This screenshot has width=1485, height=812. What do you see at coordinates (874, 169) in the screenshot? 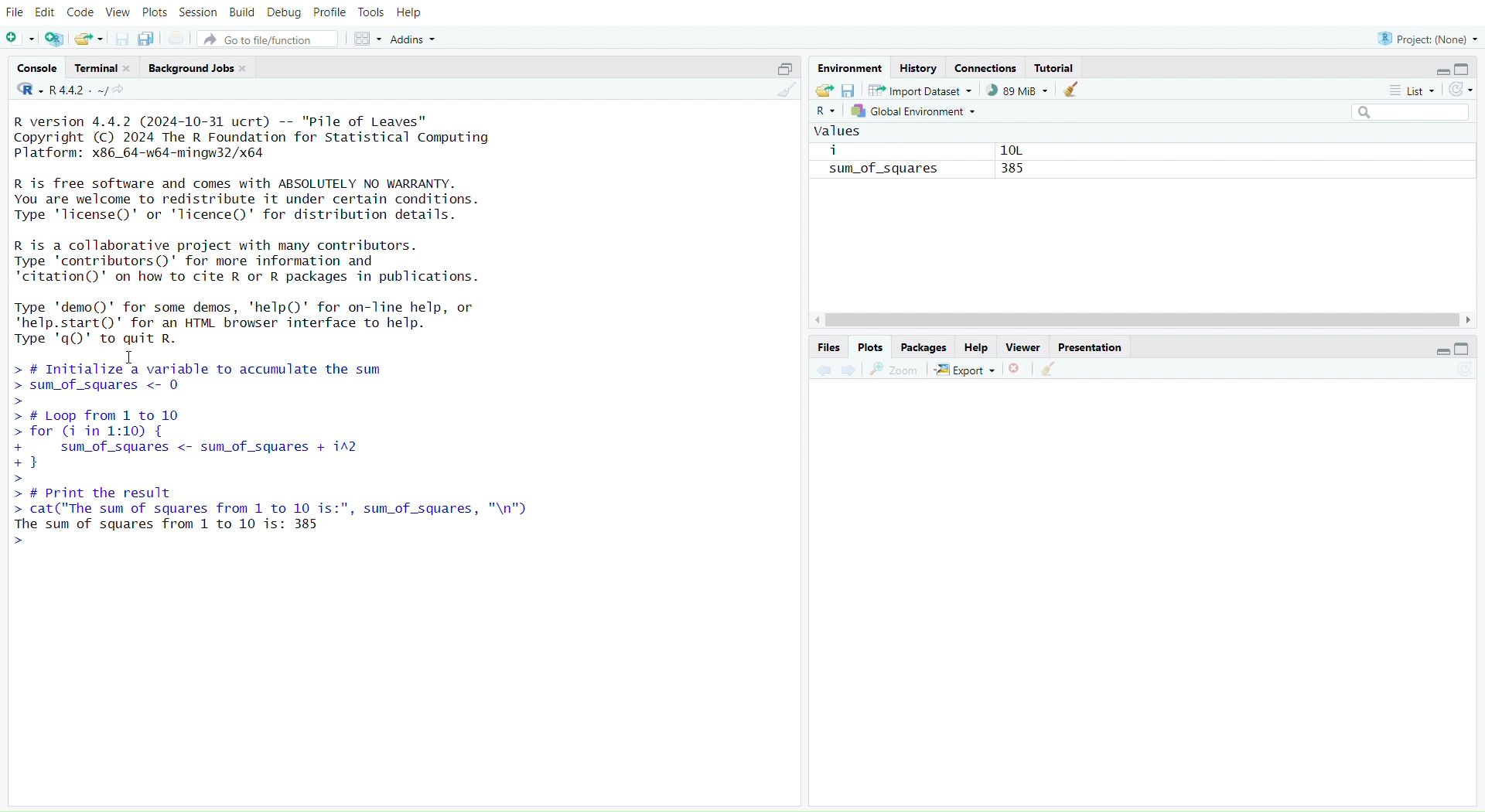
I see `sum_of_squares` at bounding box center [874, 169].